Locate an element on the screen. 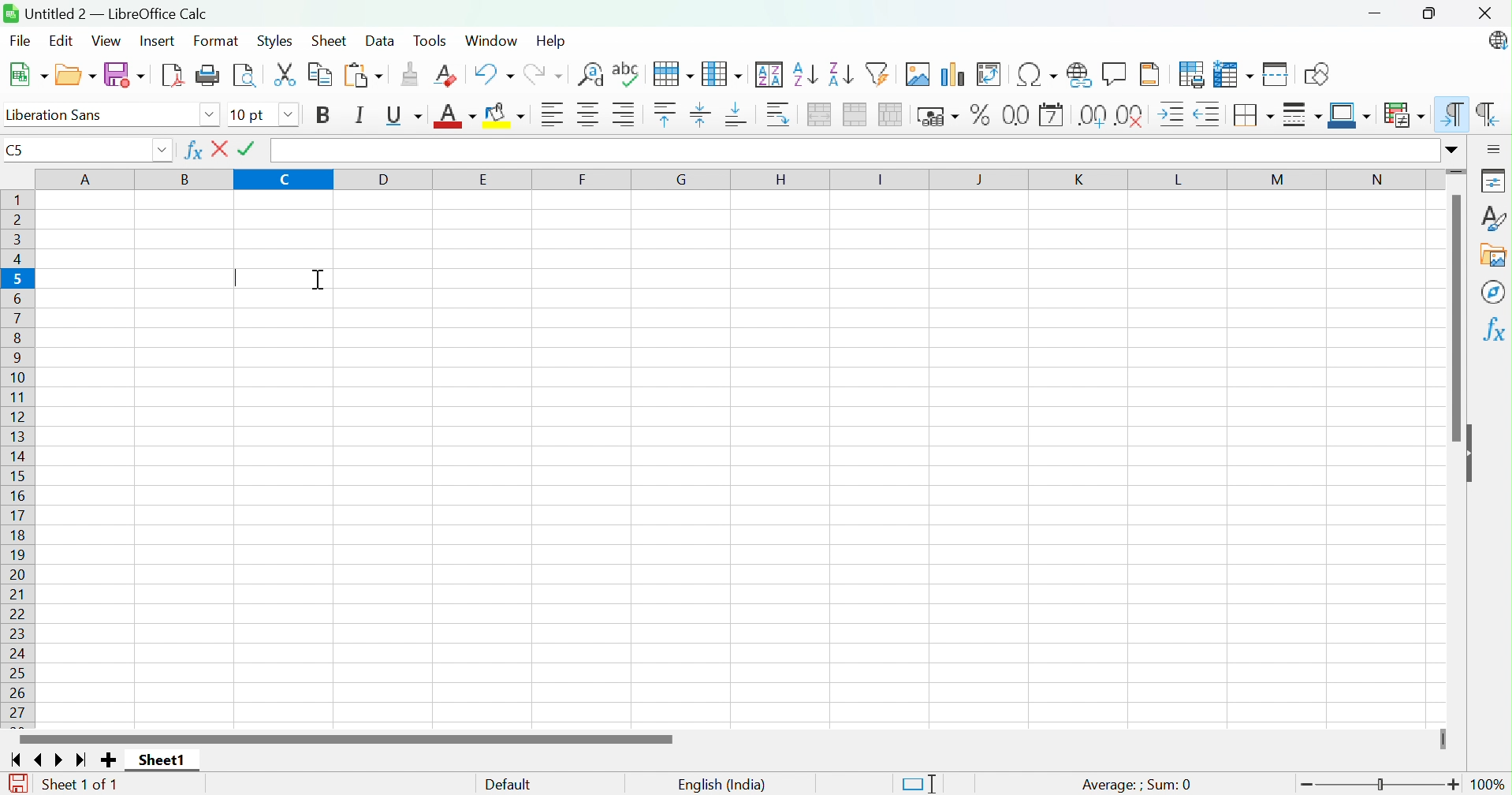 The width and height of the screenshot is (1512, 795). Insert comment is located at coordinates (1116, 73).